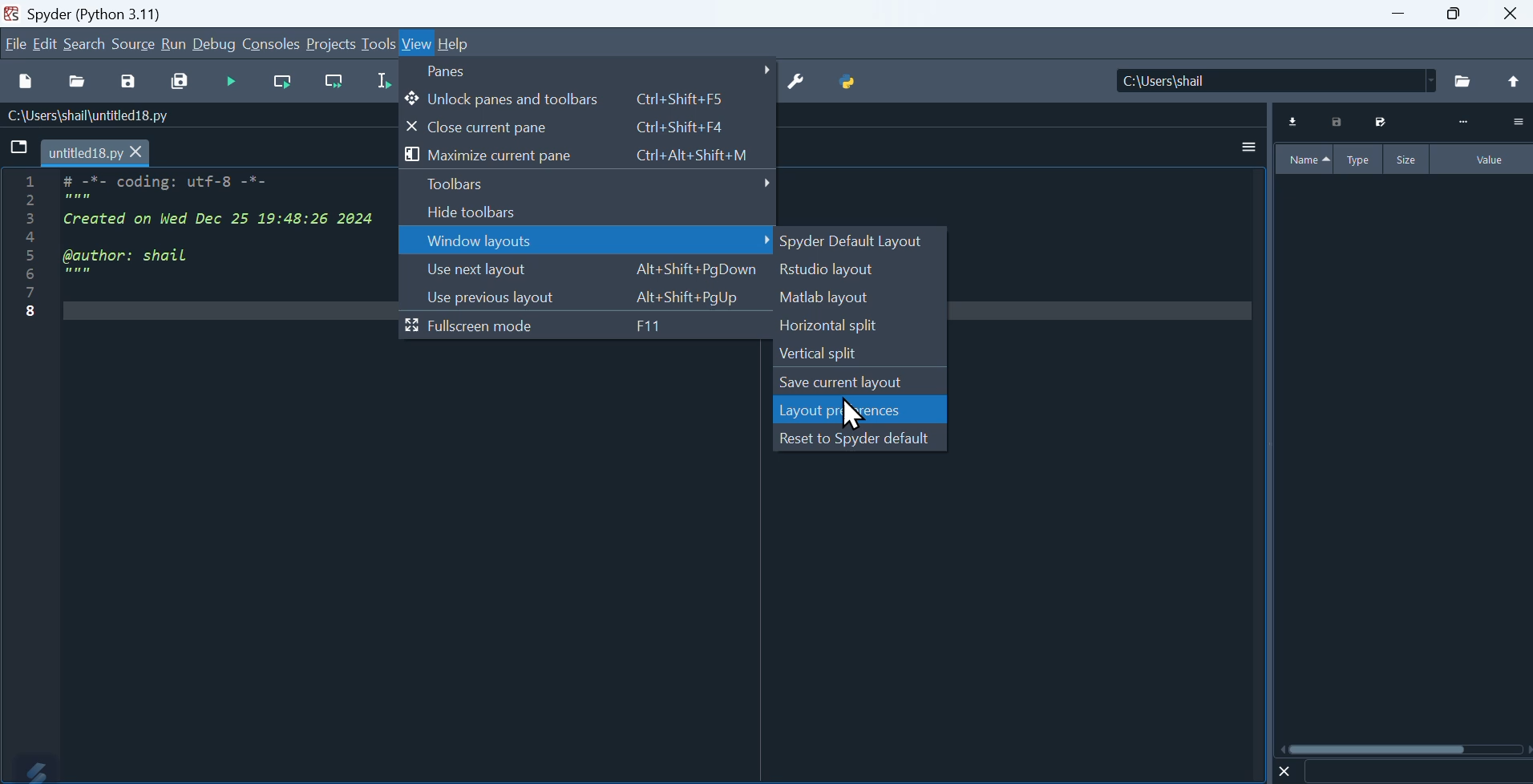  Describe the element at coordinates (1517, 121) in the screenshot. I see `Option` at that location.